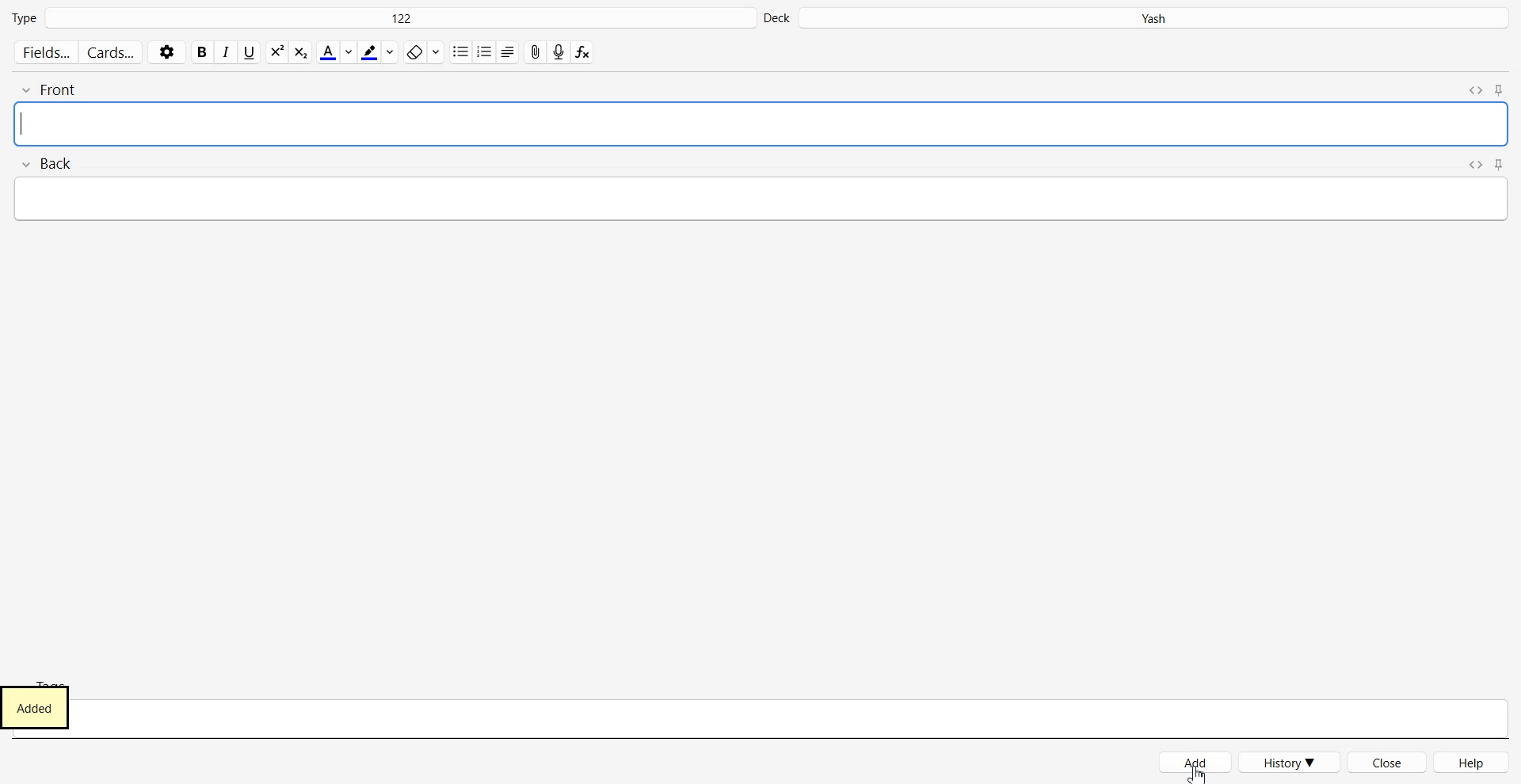 Image resolution: width=1521 pixels, height=784 pixels. Describe the element at coordinates (381, 18) in the screenshot. I see `Type` at that location.